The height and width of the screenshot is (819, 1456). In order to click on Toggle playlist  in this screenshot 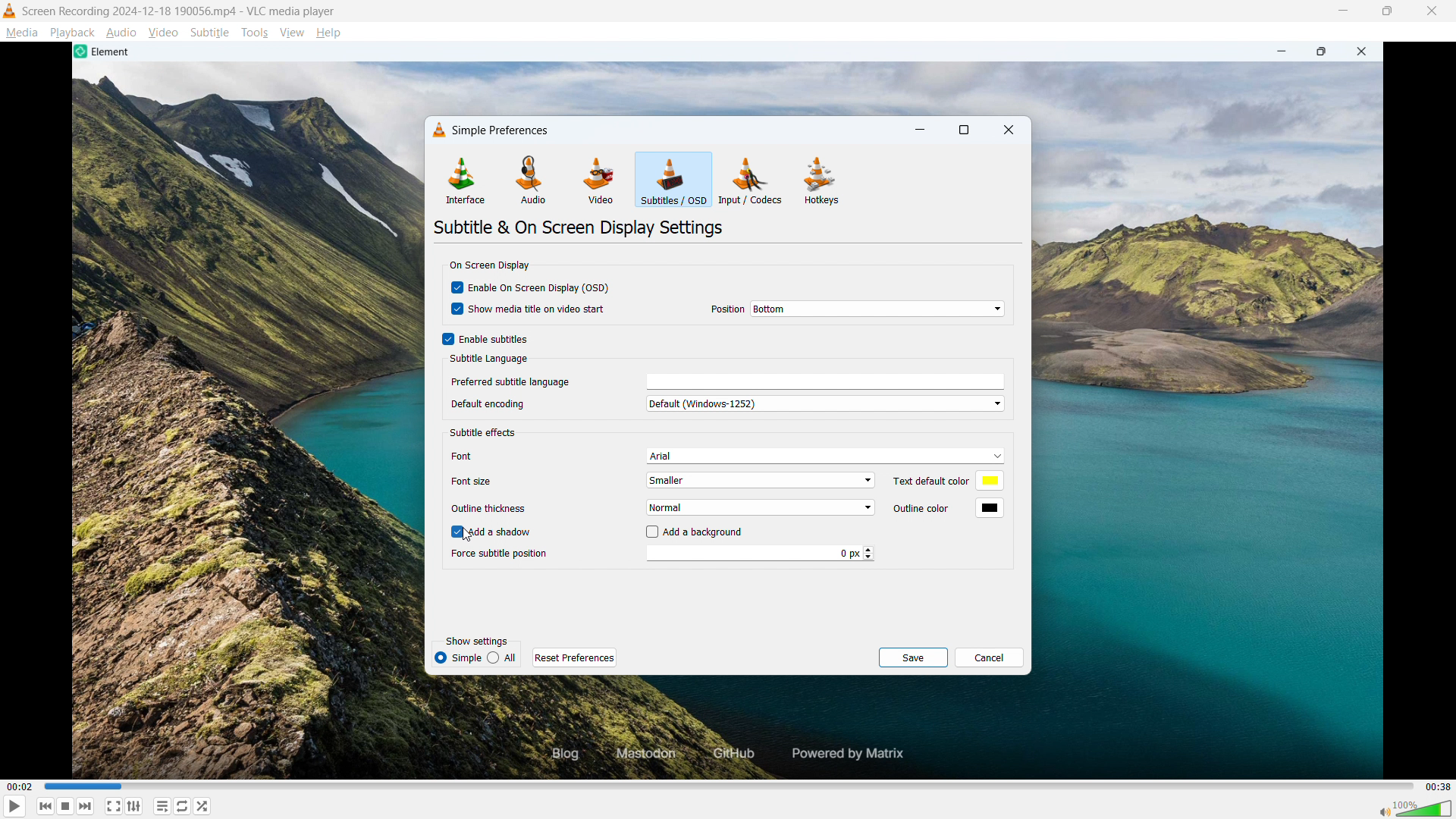, I will do `click(162, 806)`.